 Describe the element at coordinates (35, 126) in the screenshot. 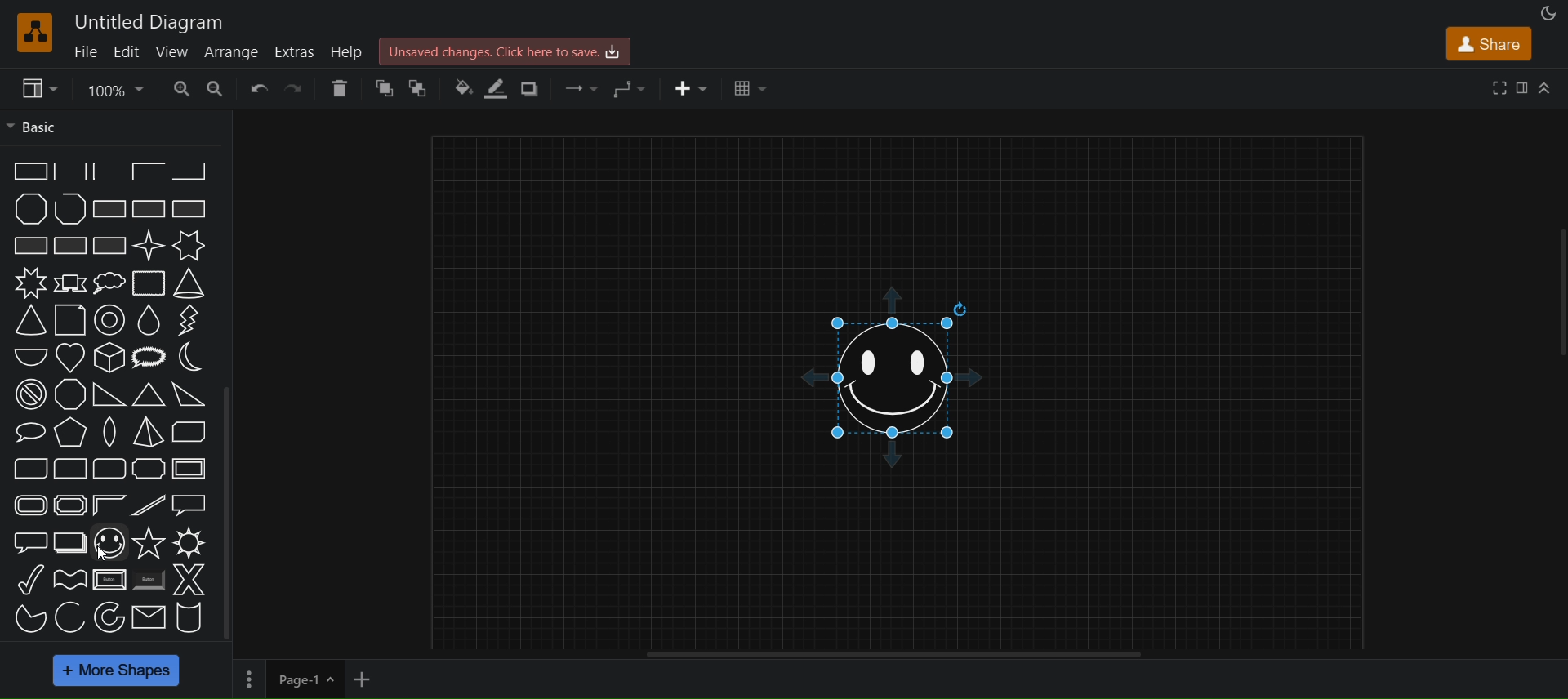

I see `basic` at that location.